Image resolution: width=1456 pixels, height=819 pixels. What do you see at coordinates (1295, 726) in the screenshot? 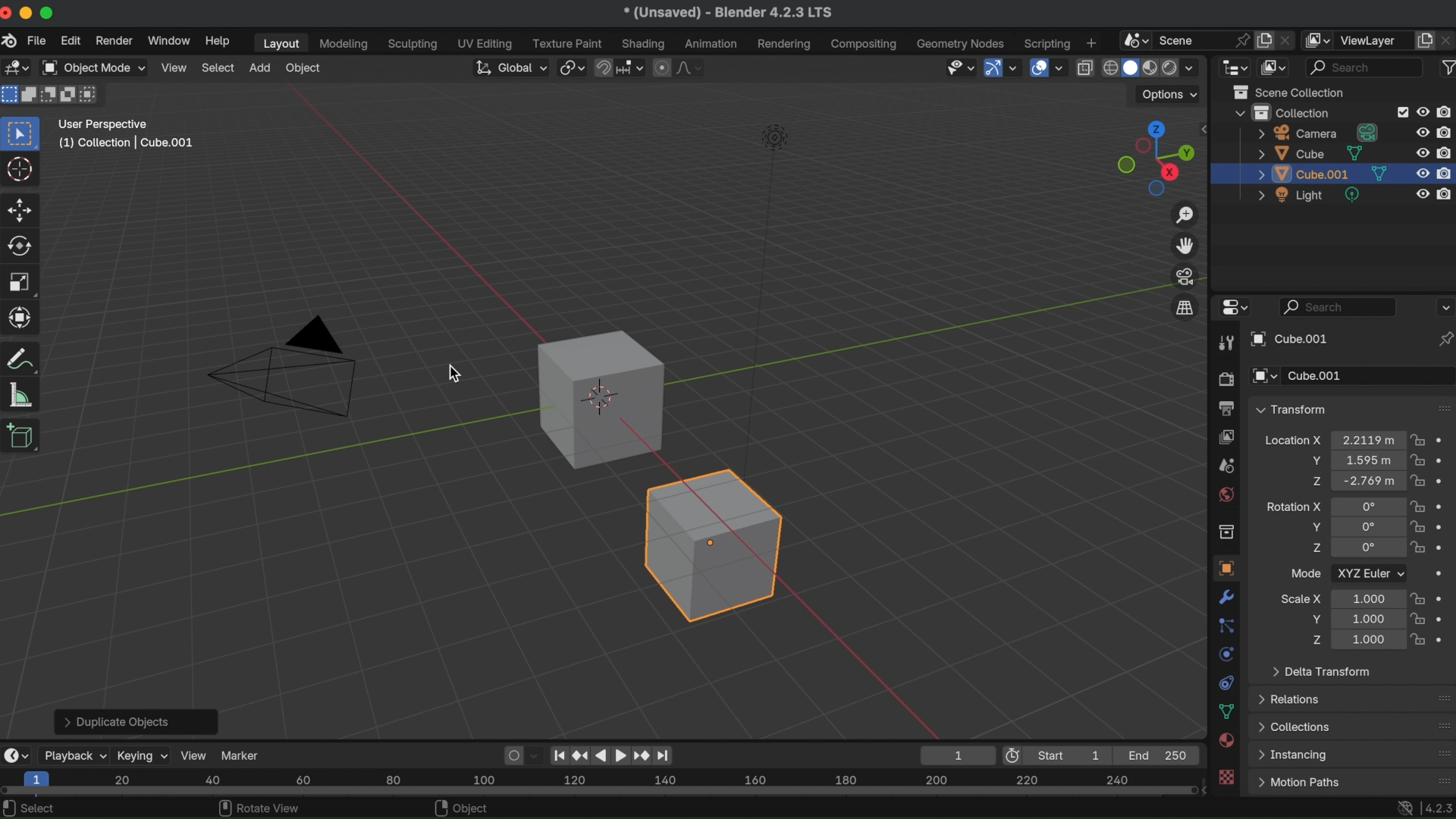
I see `collections` at bounding box center [1295, 726].